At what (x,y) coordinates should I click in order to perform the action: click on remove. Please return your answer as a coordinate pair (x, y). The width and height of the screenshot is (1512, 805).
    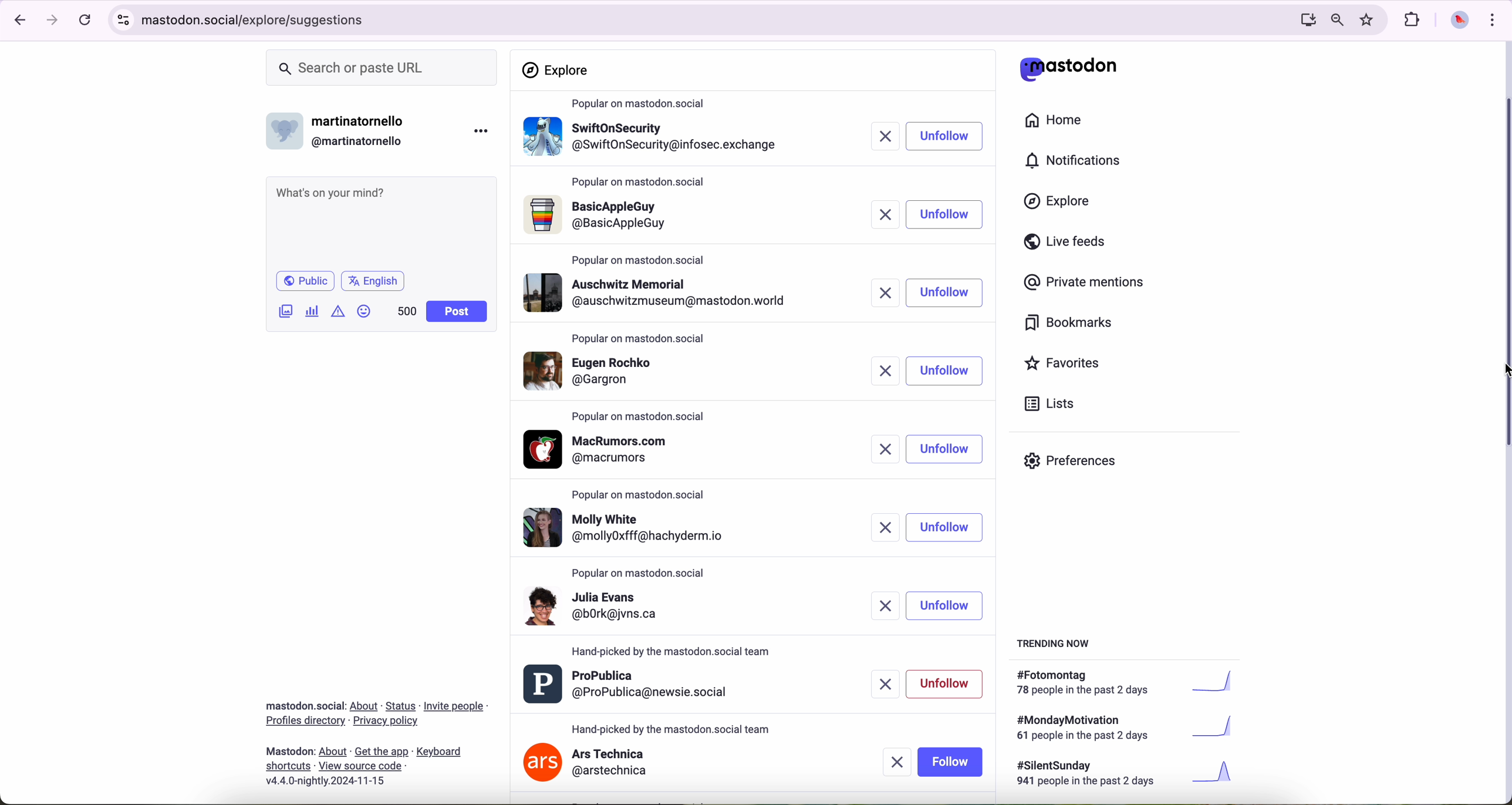
    Looking at the image, I should click on (878, 607).